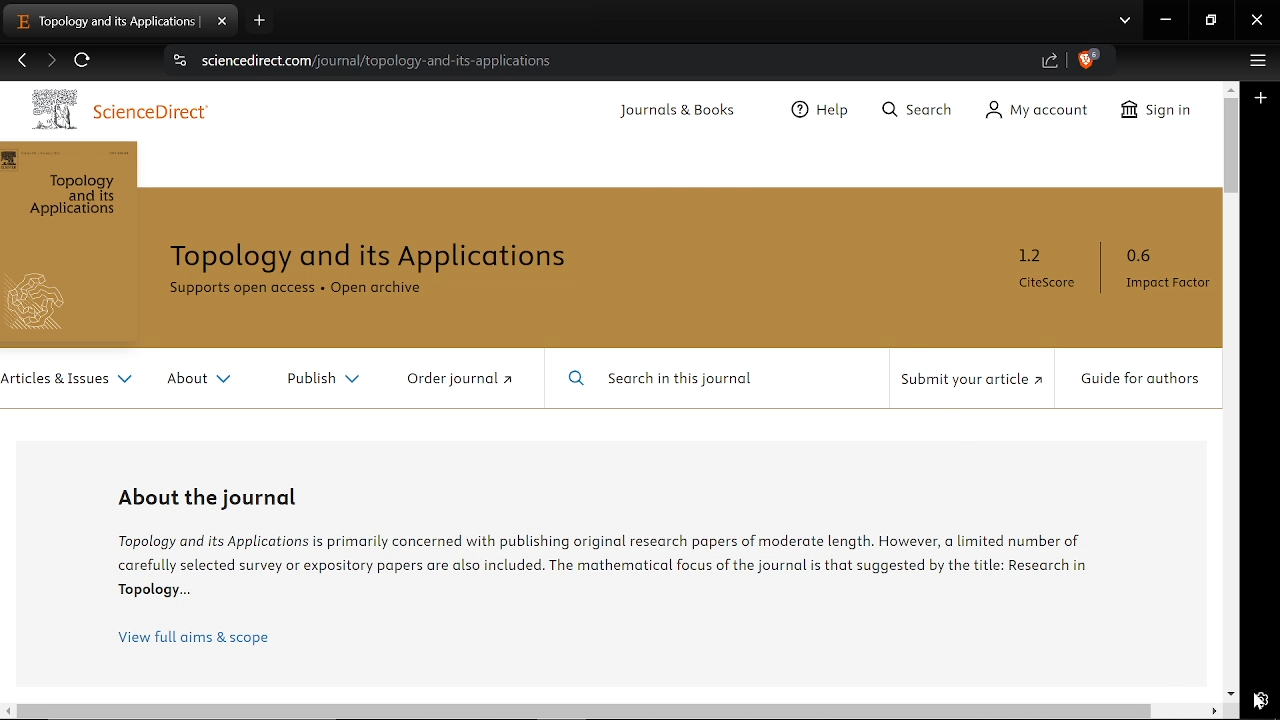 This screenshot has width=1280, height=720. Describe the element at coordinates (1050, 62) in the screenshot. I see `Share link` at that location.